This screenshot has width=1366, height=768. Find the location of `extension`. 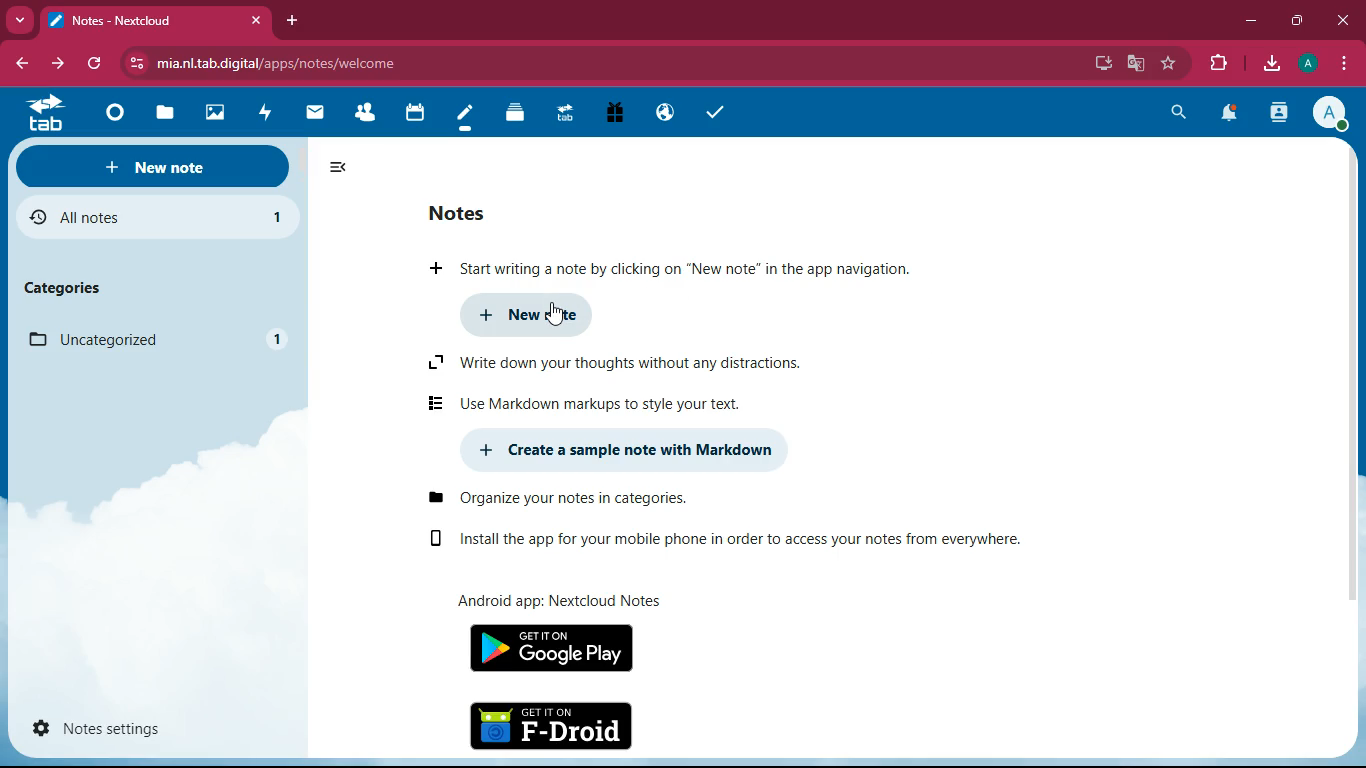

extension is located at coordinates (1218, 64).